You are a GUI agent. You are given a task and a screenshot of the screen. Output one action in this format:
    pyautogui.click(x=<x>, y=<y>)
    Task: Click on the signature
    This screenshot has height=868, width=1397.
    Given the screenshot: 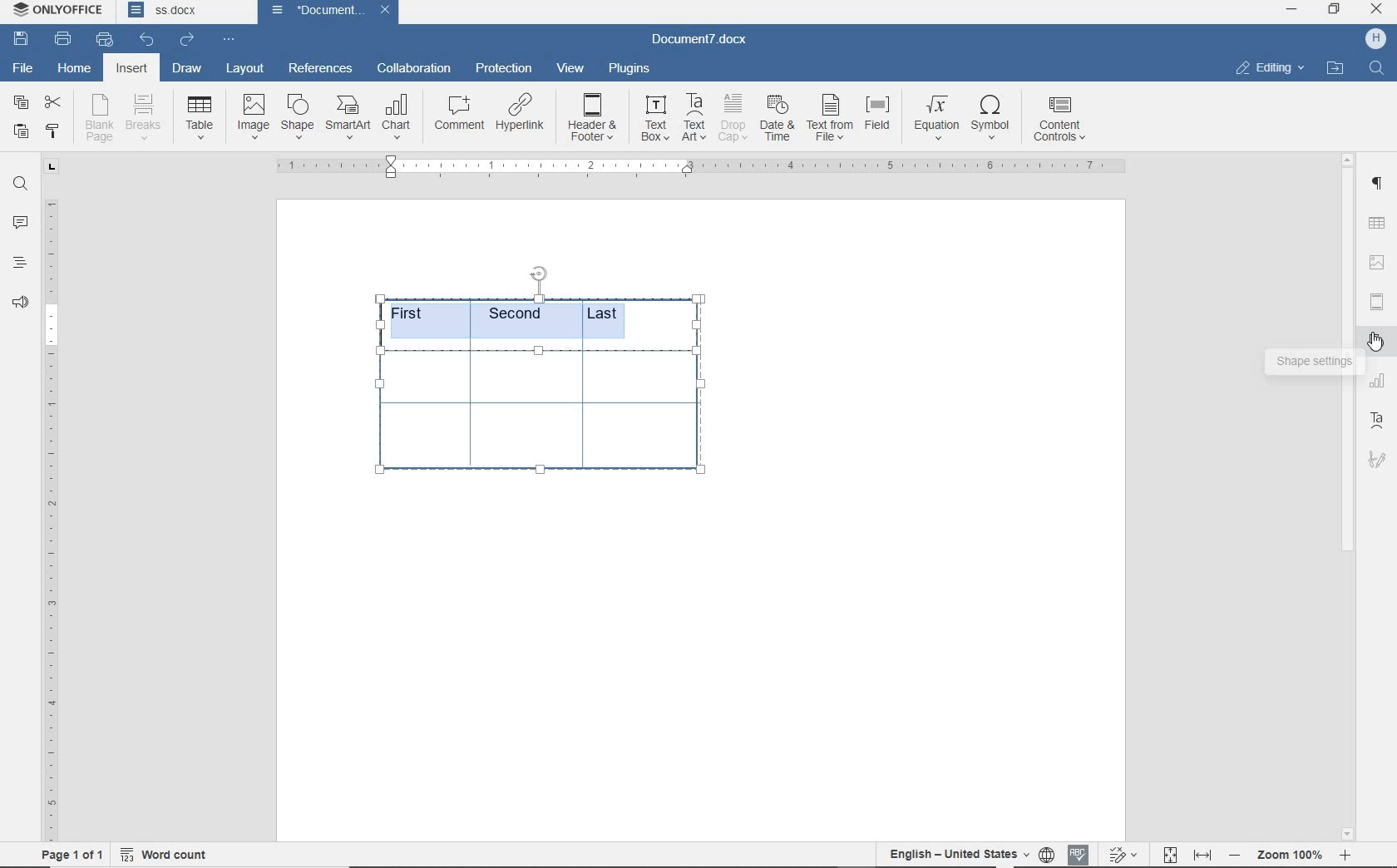 What is the action you would take?
    pyautogui.click(x=1379, y=462)
    